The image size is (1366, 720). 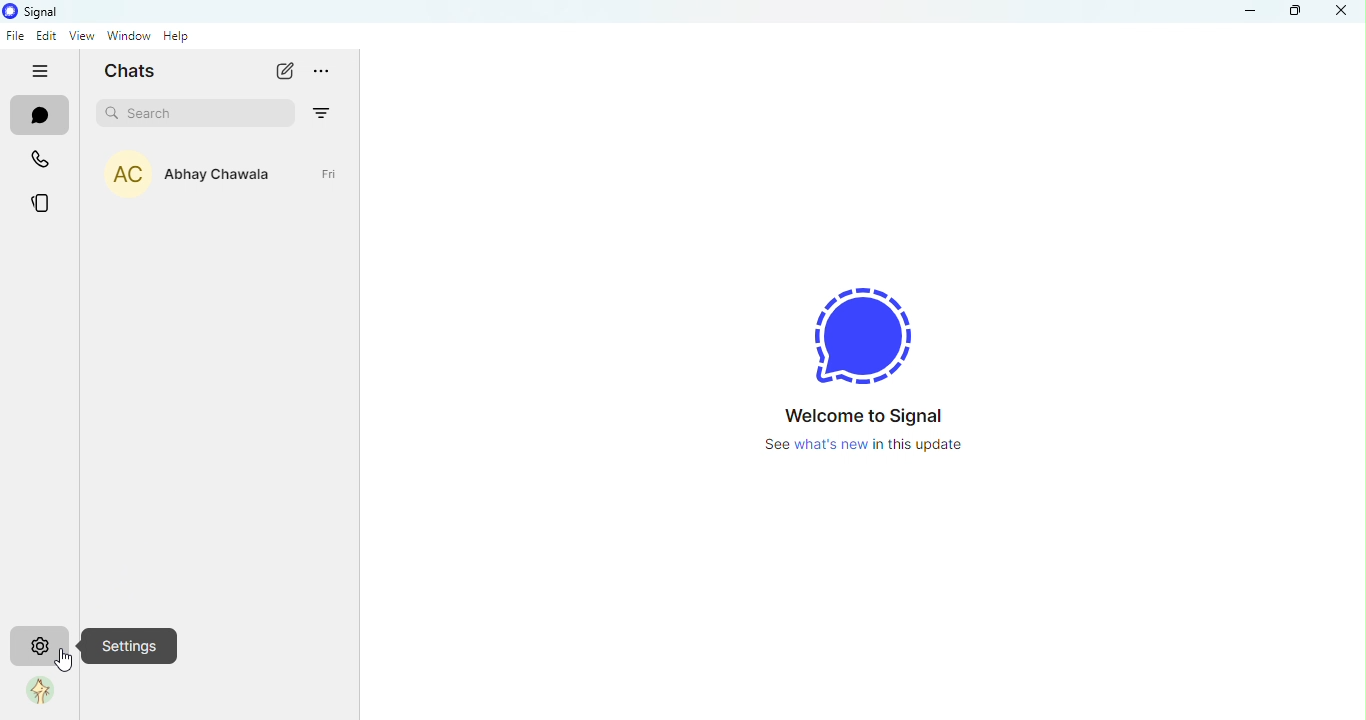 What do you see at coordinates (47, 37) in the screenshot?
I see `edit` at bounding box center [47, 37].